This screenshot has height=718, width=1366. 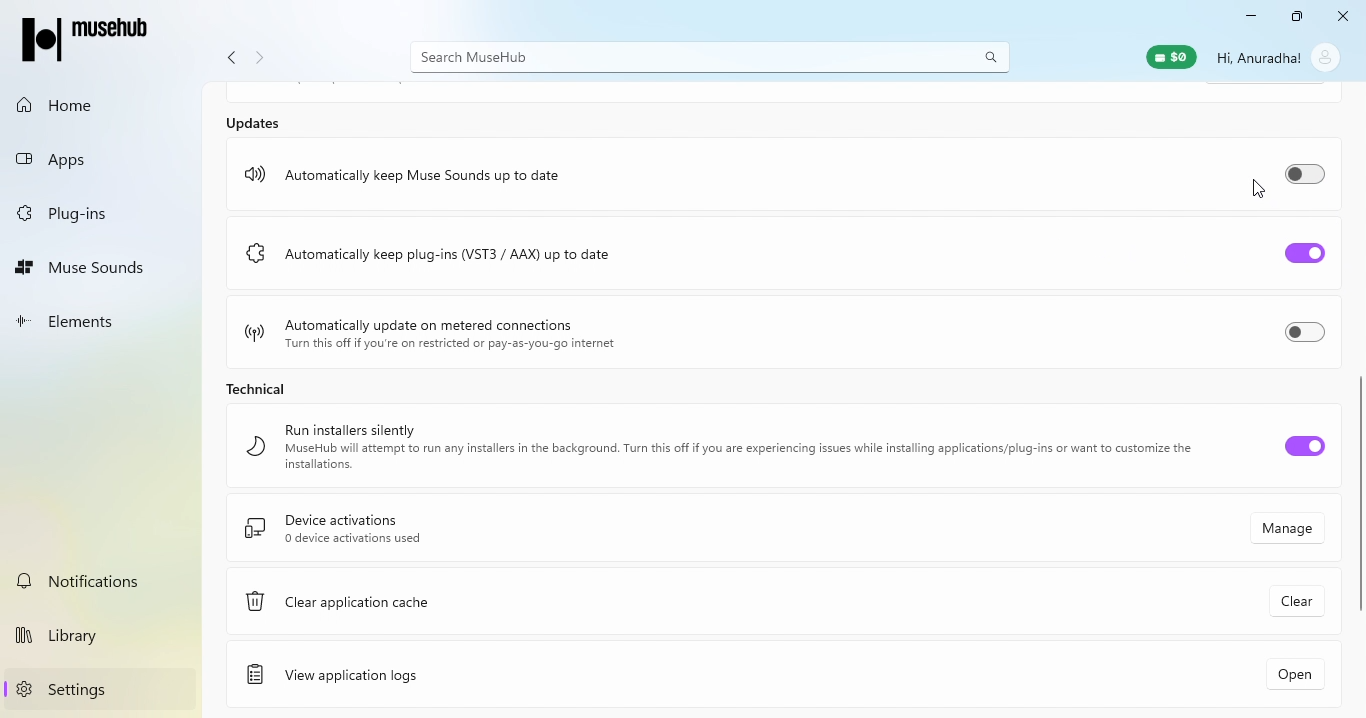 I want to click on Navigate forward, so click(x=261, y=61).